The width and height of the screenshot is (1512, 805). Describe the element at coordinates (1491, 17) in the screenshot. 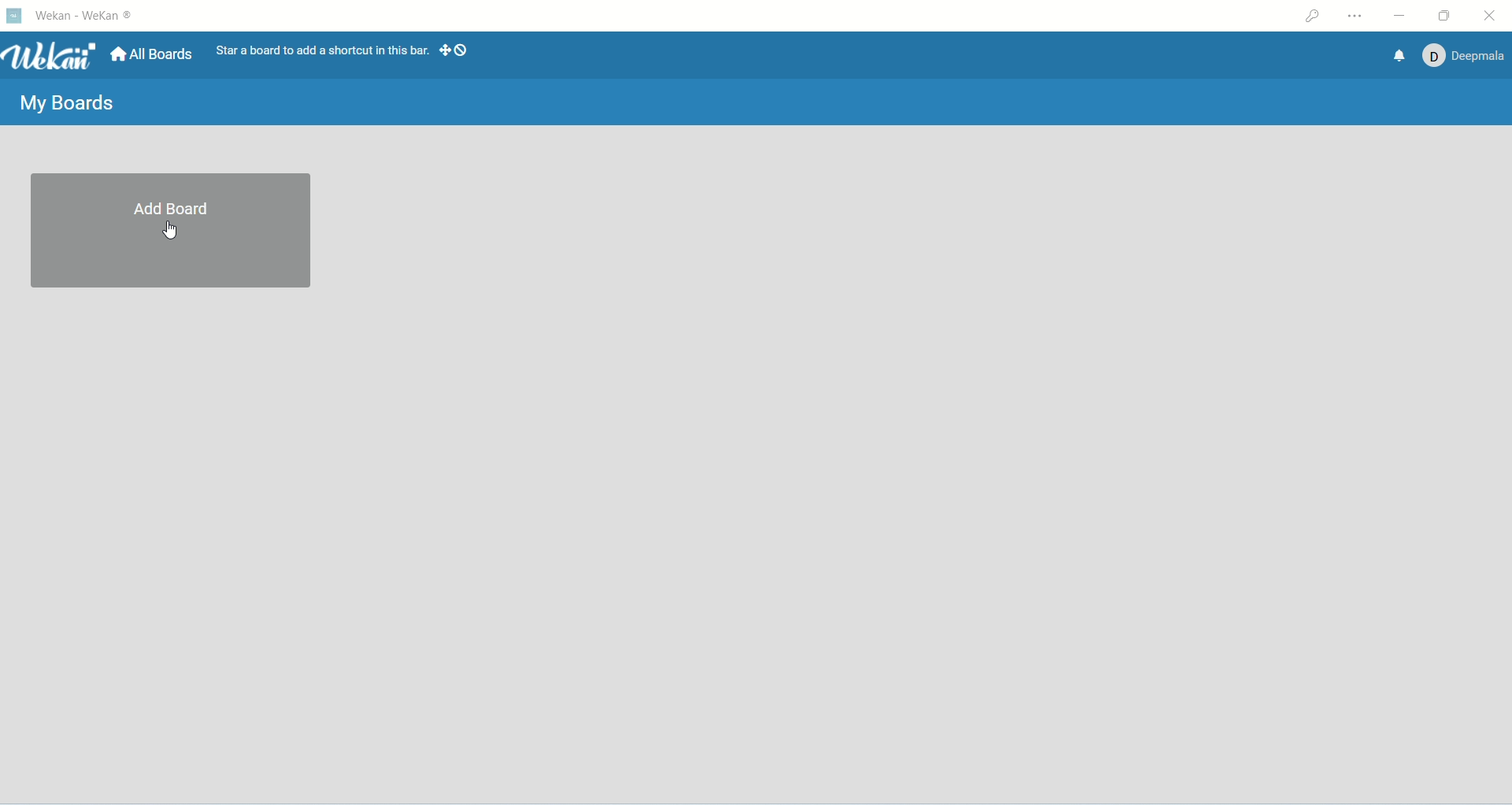

I see `close` at that location.